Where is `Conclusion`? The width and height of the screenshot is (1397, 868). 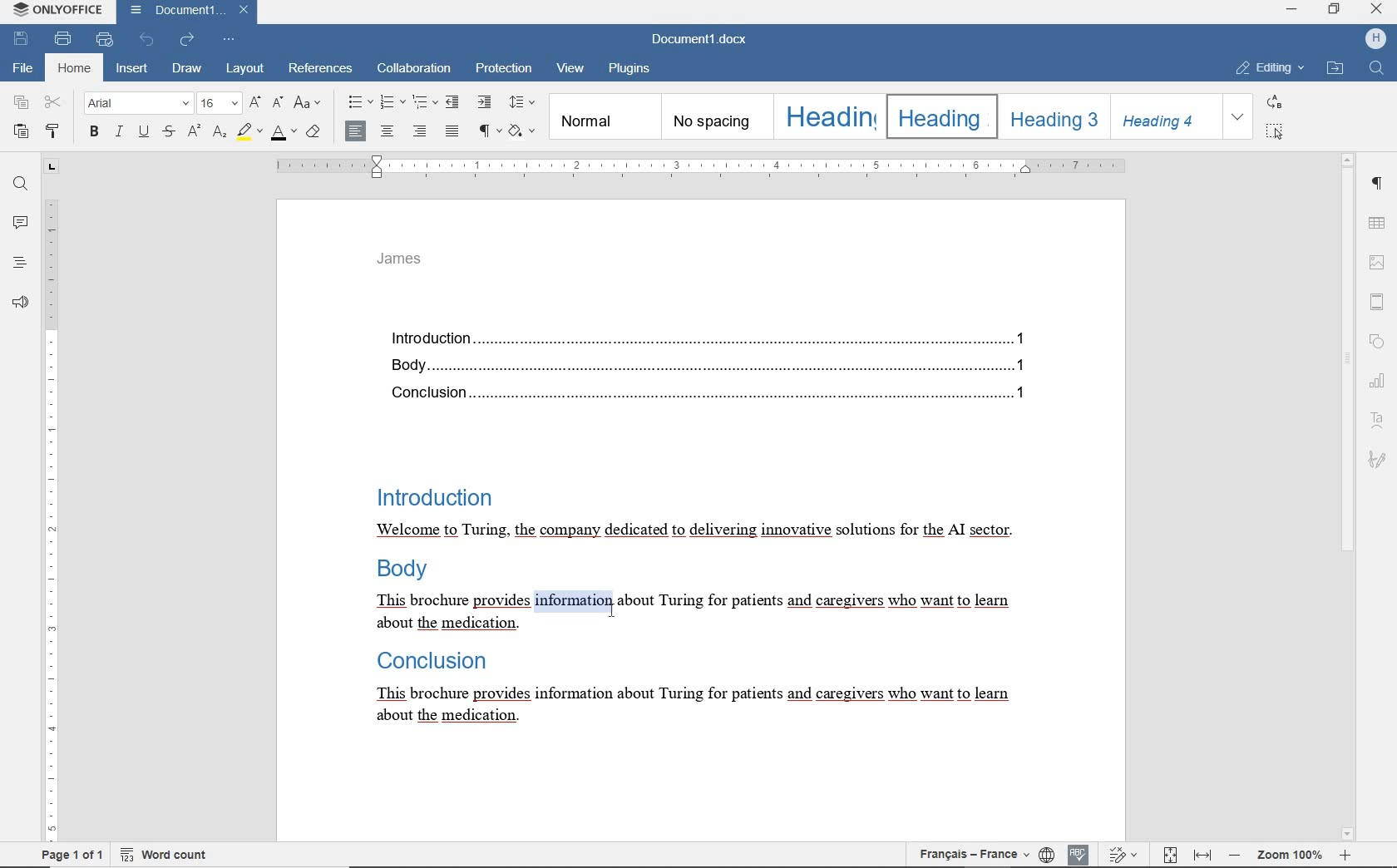
Conclusion is located at coordinates (427, 662).